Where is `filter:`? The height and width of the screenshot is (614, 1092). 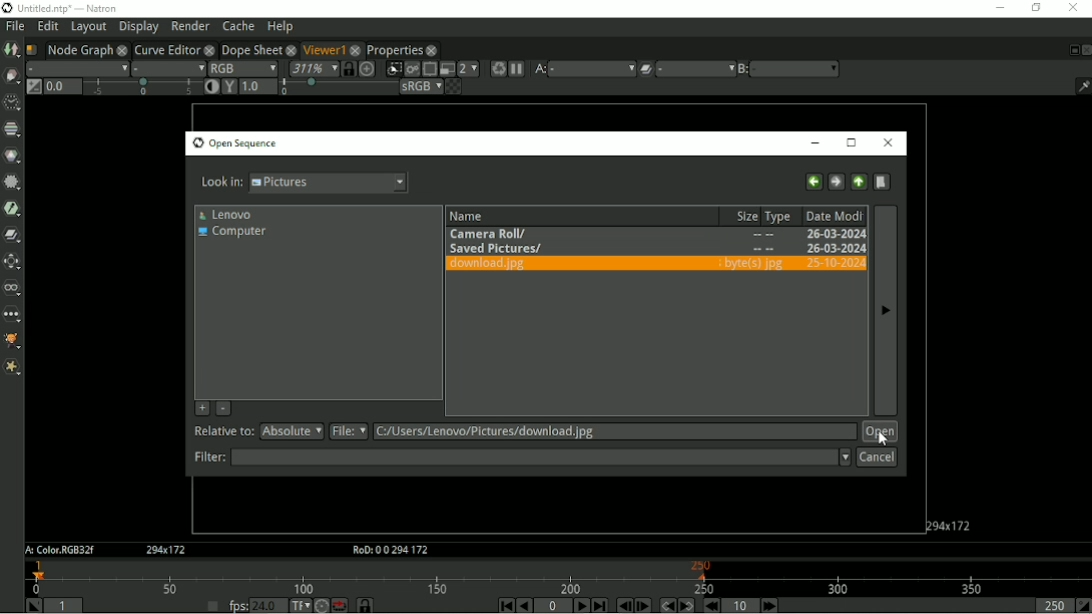 filter: is located at coordinates (208, 457).